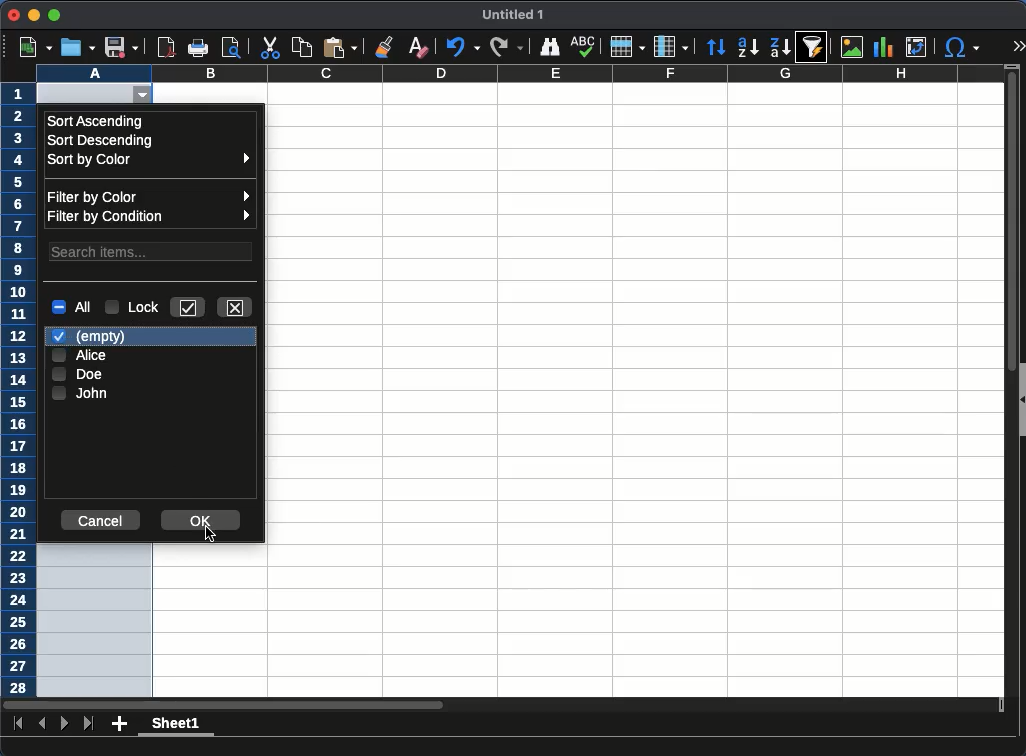 The height and width of the screenshot is (756, 1026). Describe the element at coordinates (718, 47) in the screenshot. I see `sort` at that location.